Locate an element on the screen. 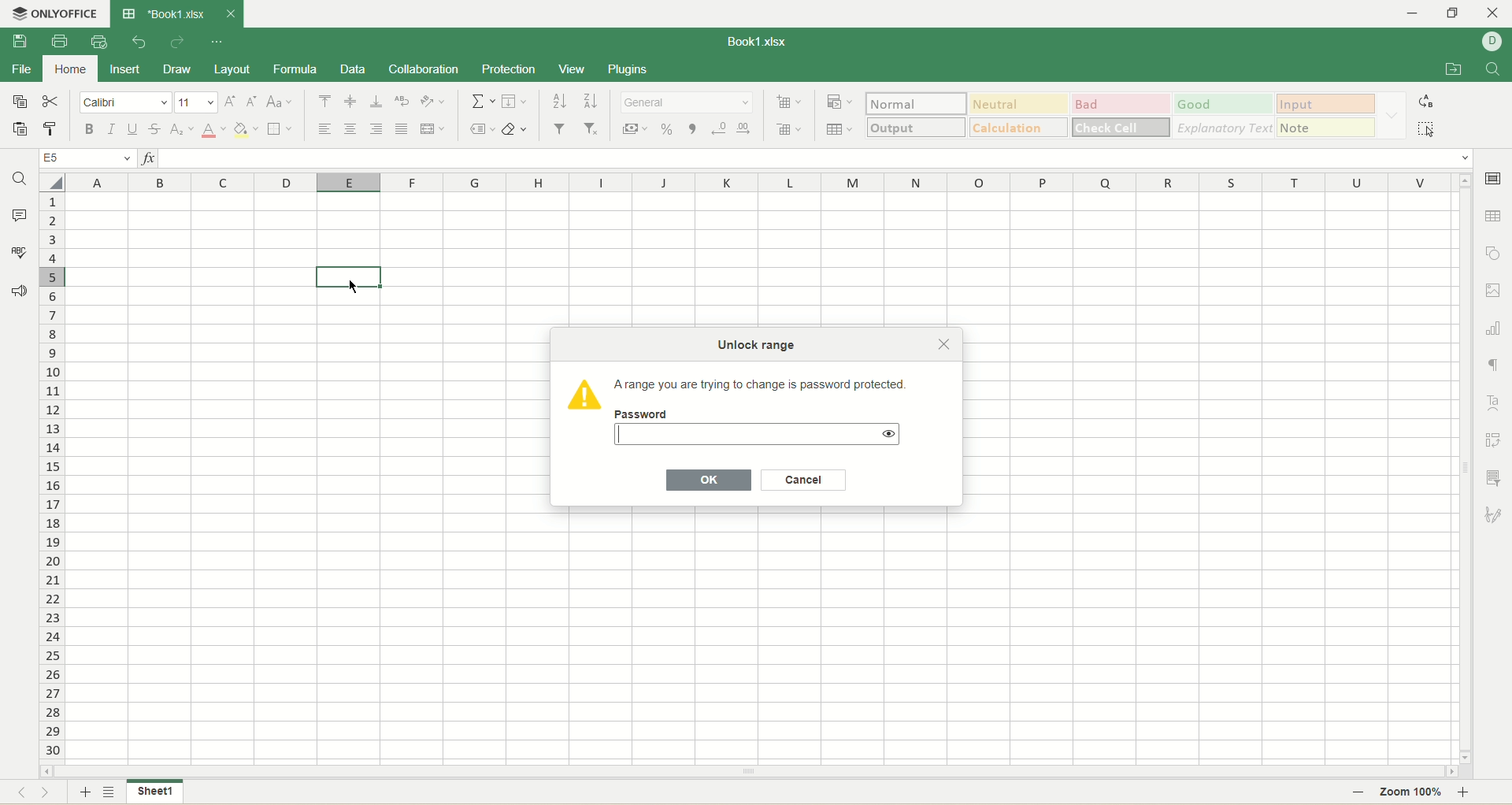 The image size is (1512, 805). formula is located at coordinates (296, 69).